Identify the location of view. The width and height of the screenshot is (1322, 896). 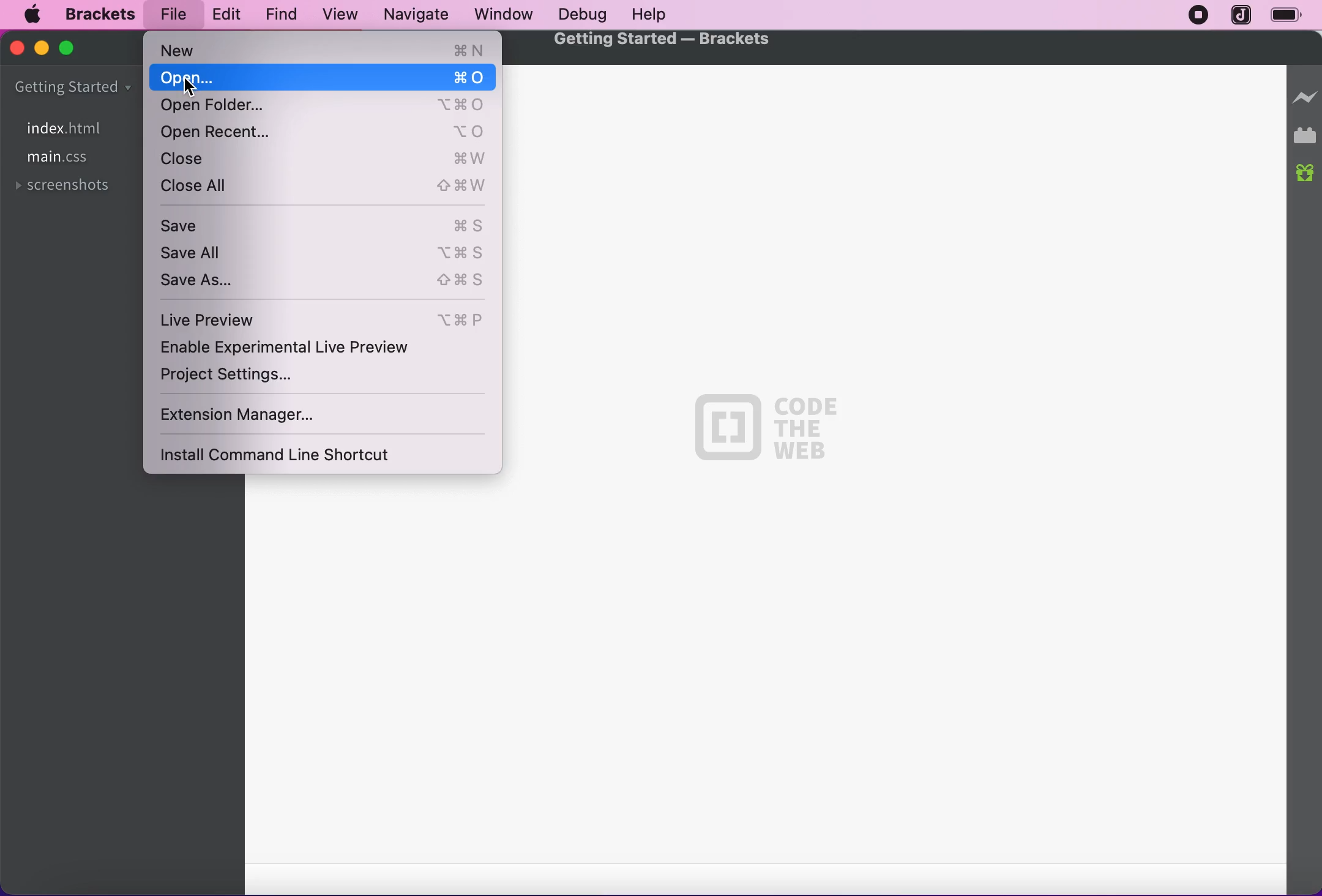
(336, 15).